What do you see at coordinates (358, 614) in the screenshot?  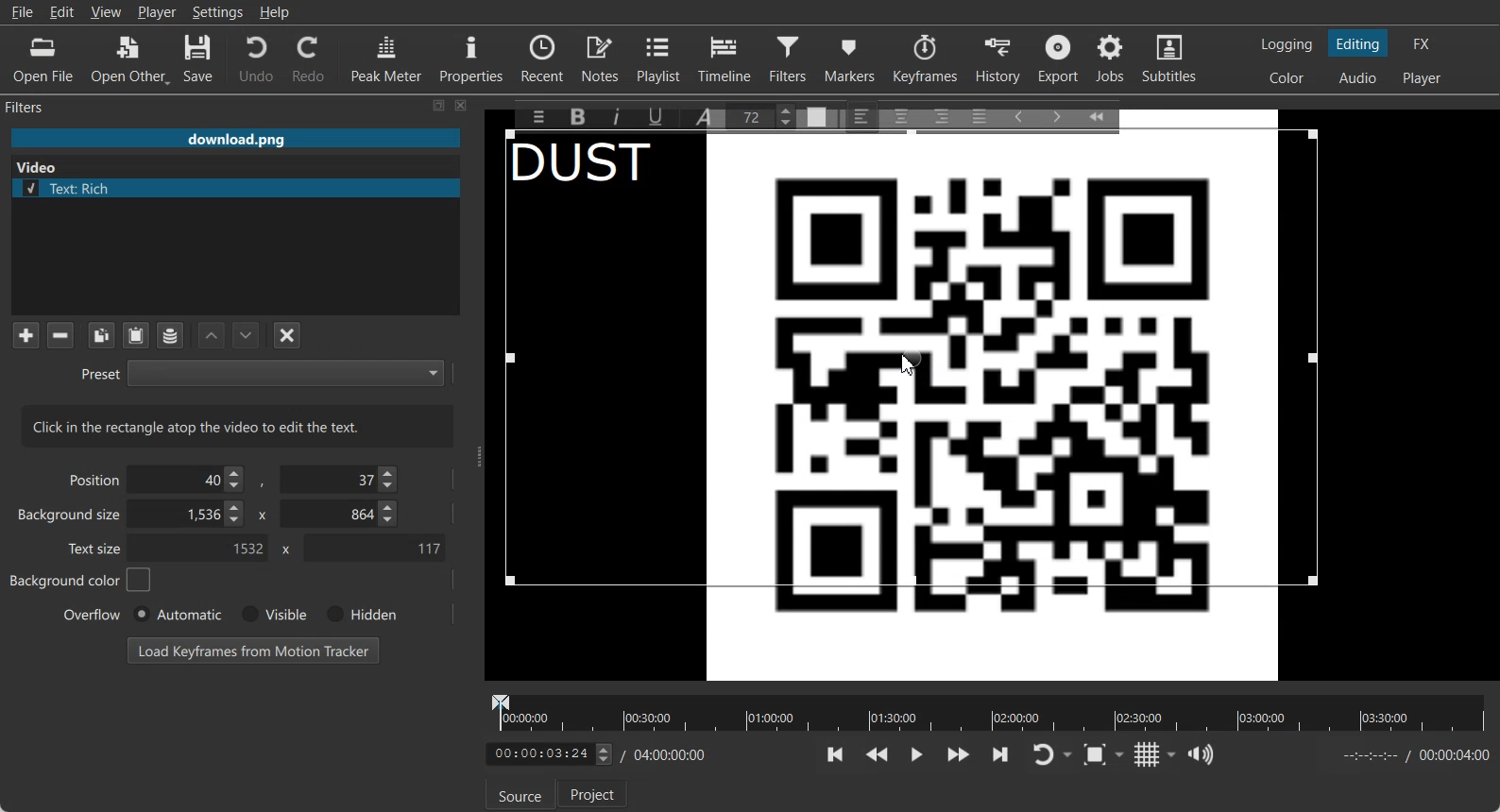 I see `Hidden` at bounding box center [358, 614].